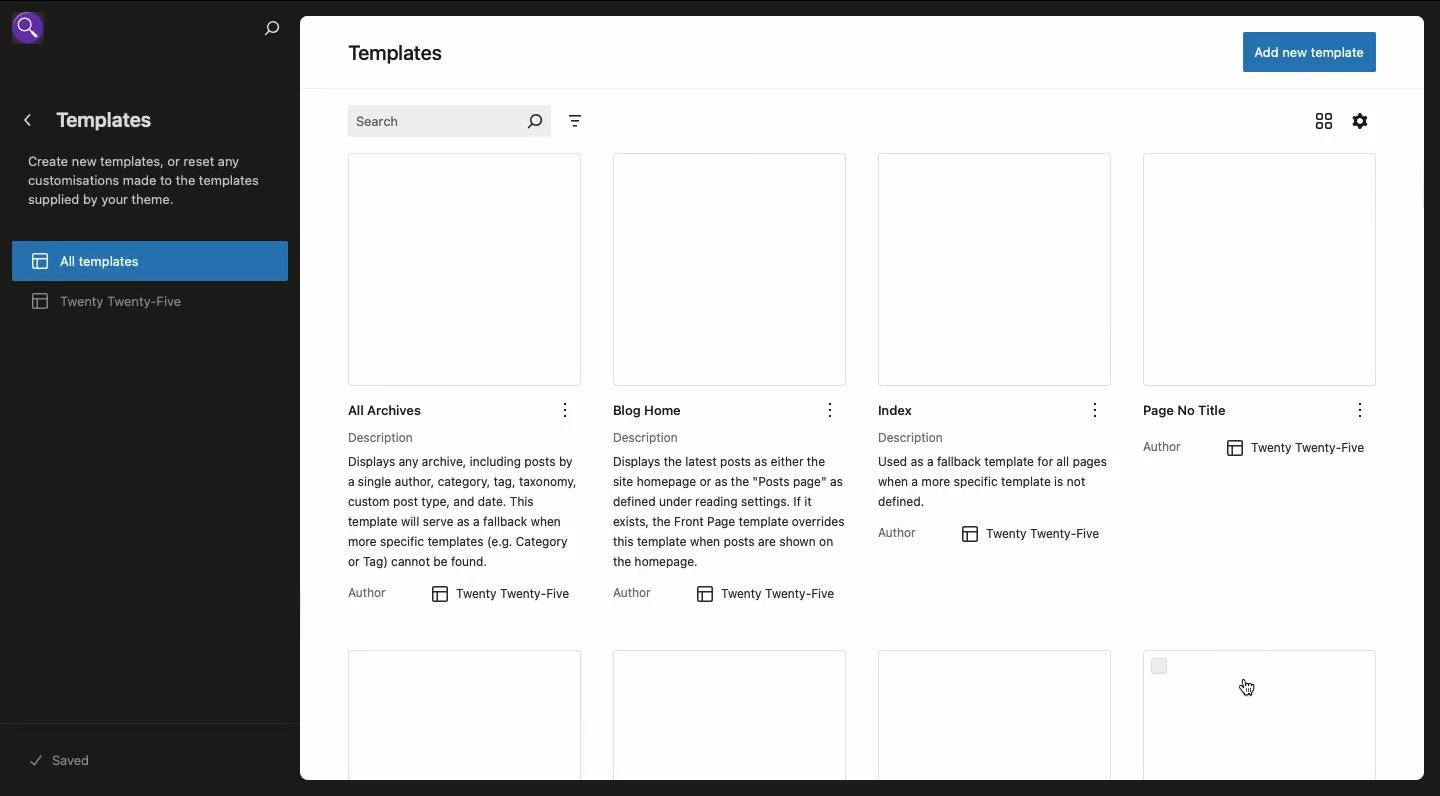 This screenshot has width=1440, height=796. Describe the element at coordinates (724, 504) in the screenshot. I see `S—.Displays the latest posts as either the site homepage or as the "Posts page” as defined under reading settings. If it exists, the Front Page template overrides this template when posts are shown on the homepage.` at that location.